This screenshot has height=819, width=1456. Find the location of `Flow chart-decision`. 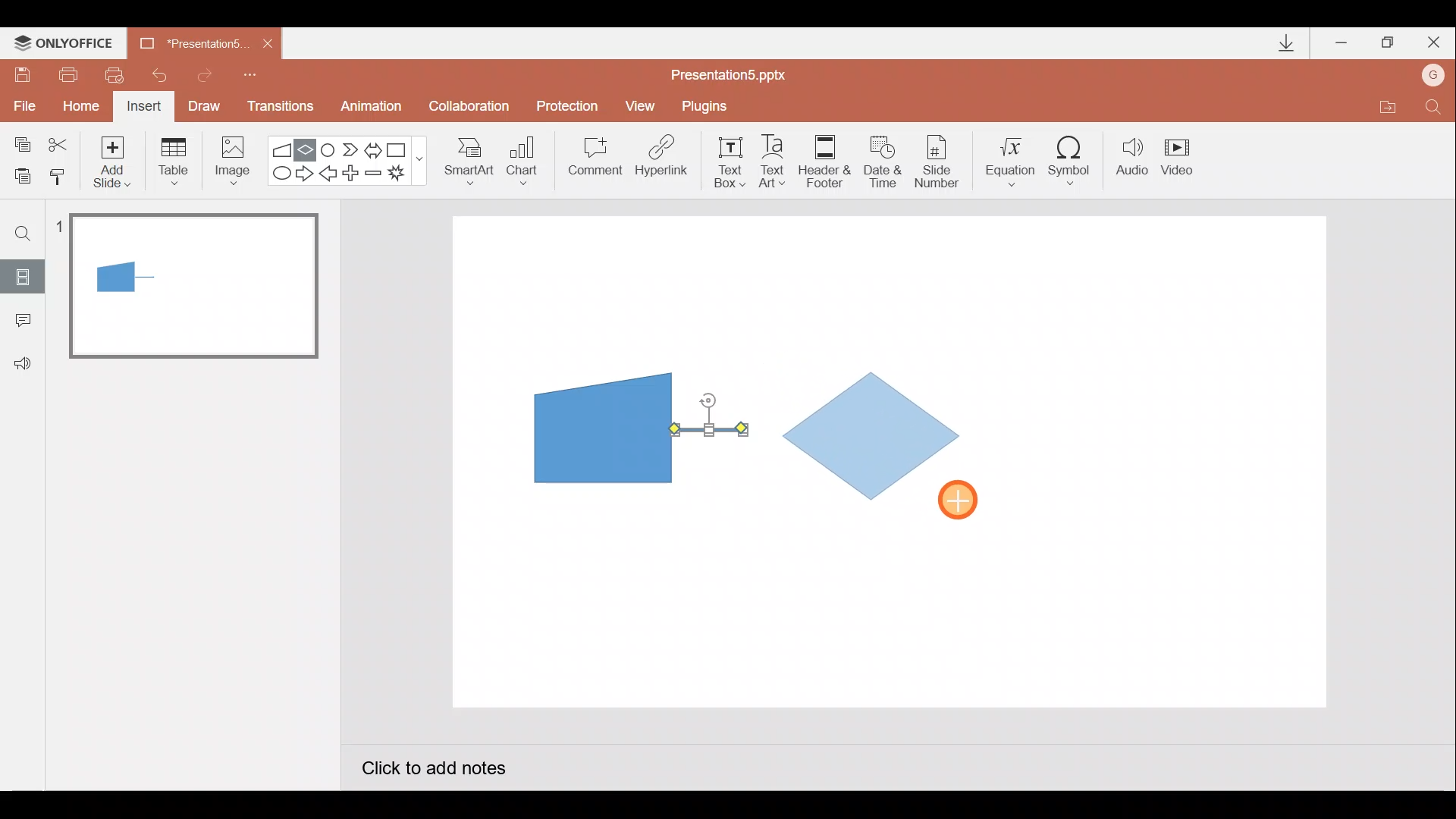

Flow chart-decision is located at coordinates (308, 149).